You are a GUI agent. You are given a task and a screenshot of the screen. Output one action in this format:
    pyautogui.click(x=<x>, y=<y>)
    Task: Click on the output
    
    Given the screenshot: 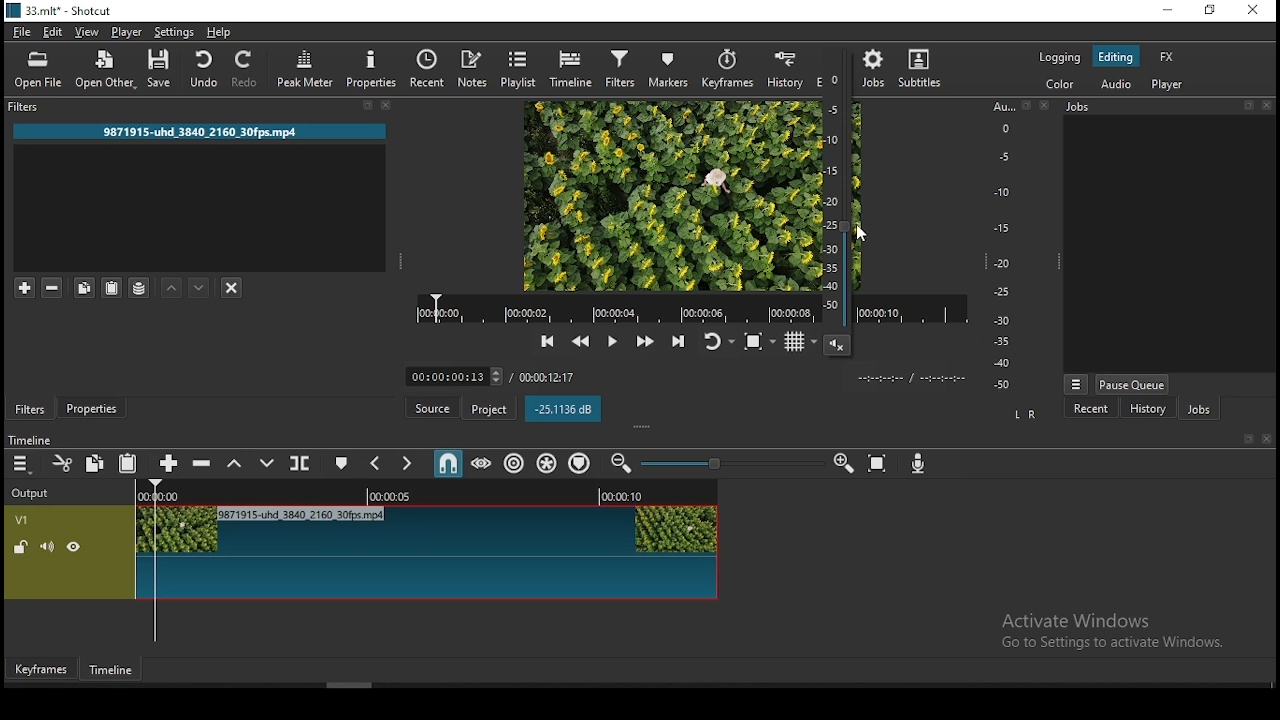 What is the action you would take?
    pyautogui.click(x=33, y=495)
    